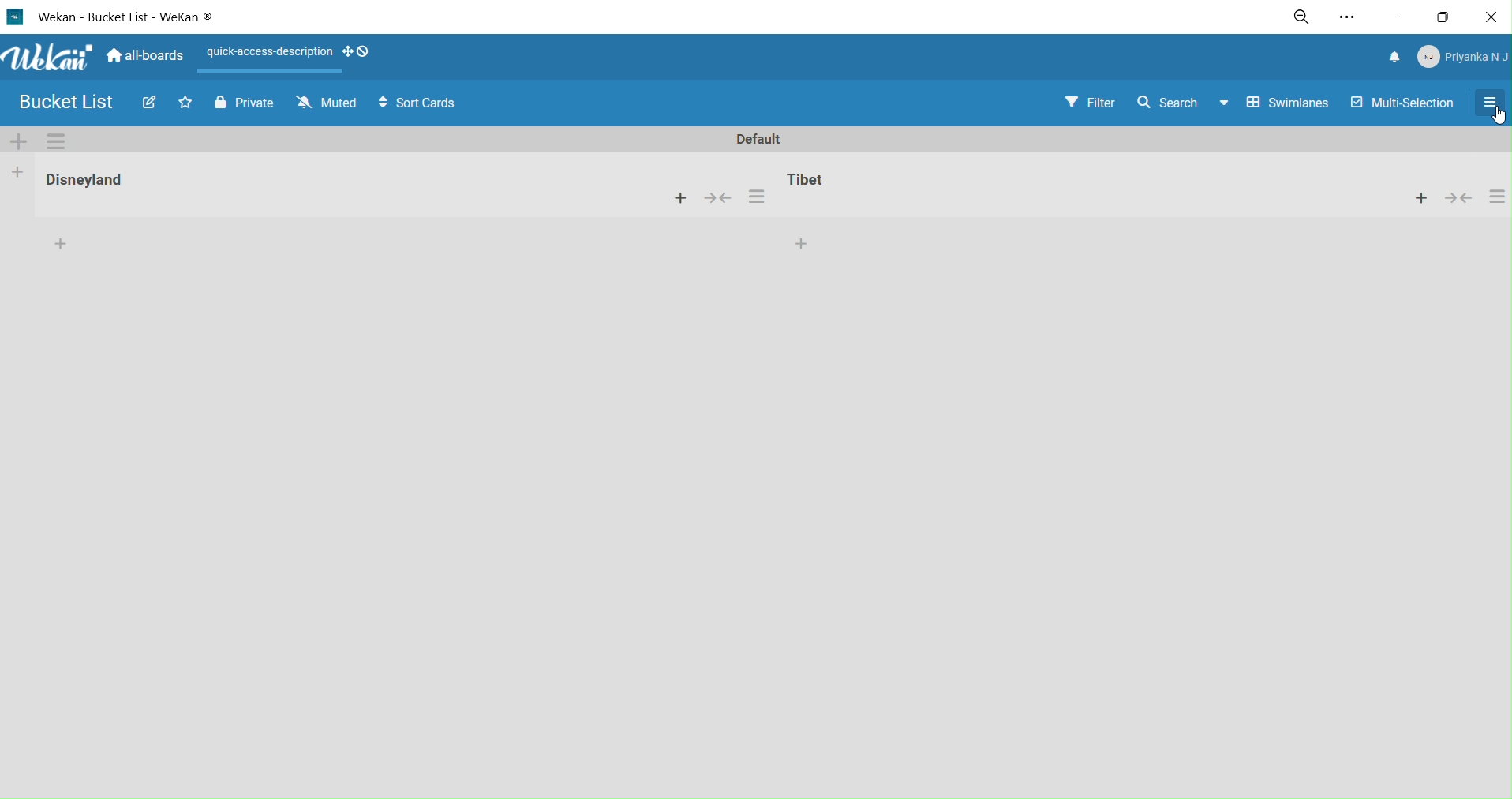 The image size is (1512, 799). I want to click on add card to the bottom of the list, so click(62, 243).